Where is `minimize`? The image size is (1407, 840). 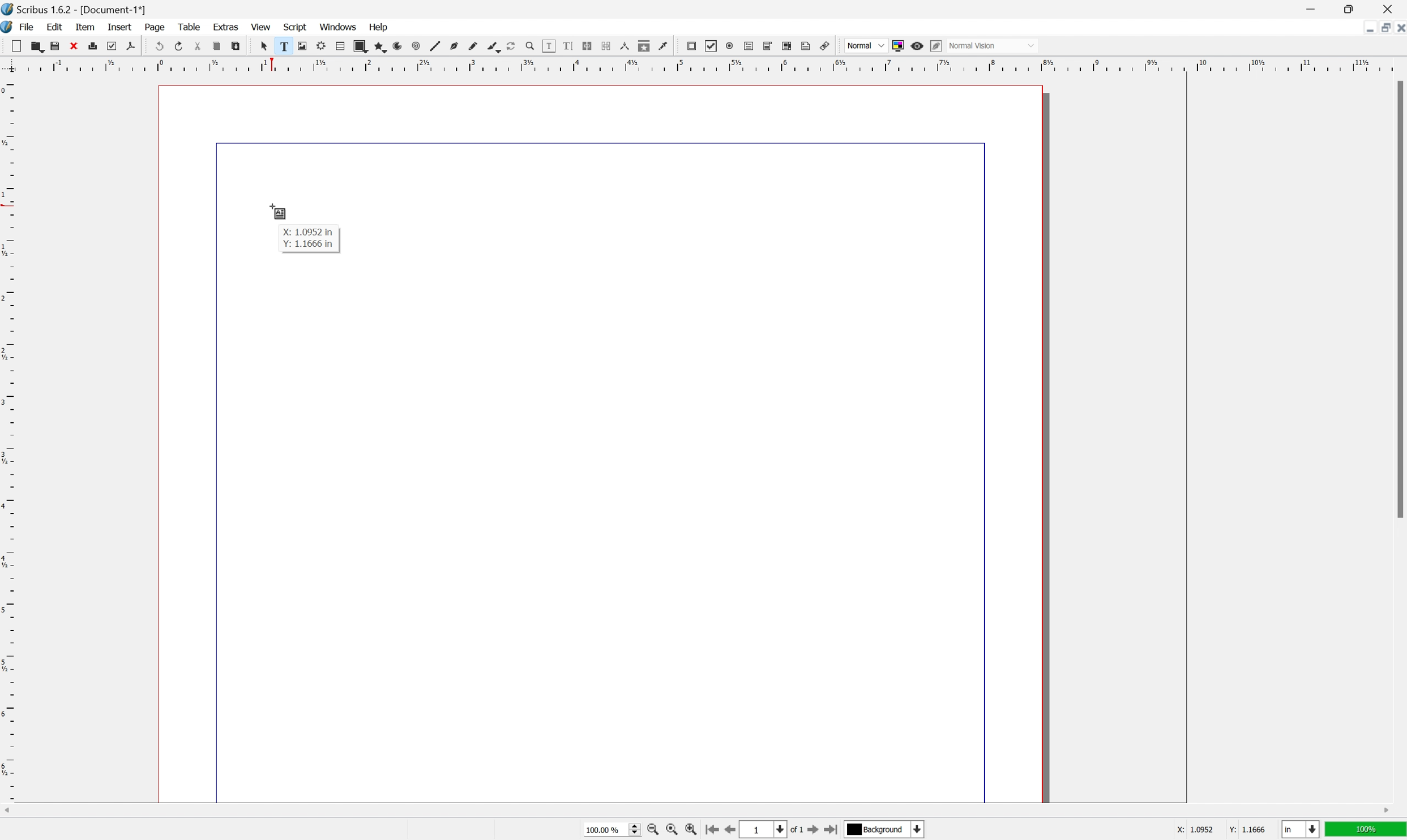
minimize is located at coordinates (1364, 28).